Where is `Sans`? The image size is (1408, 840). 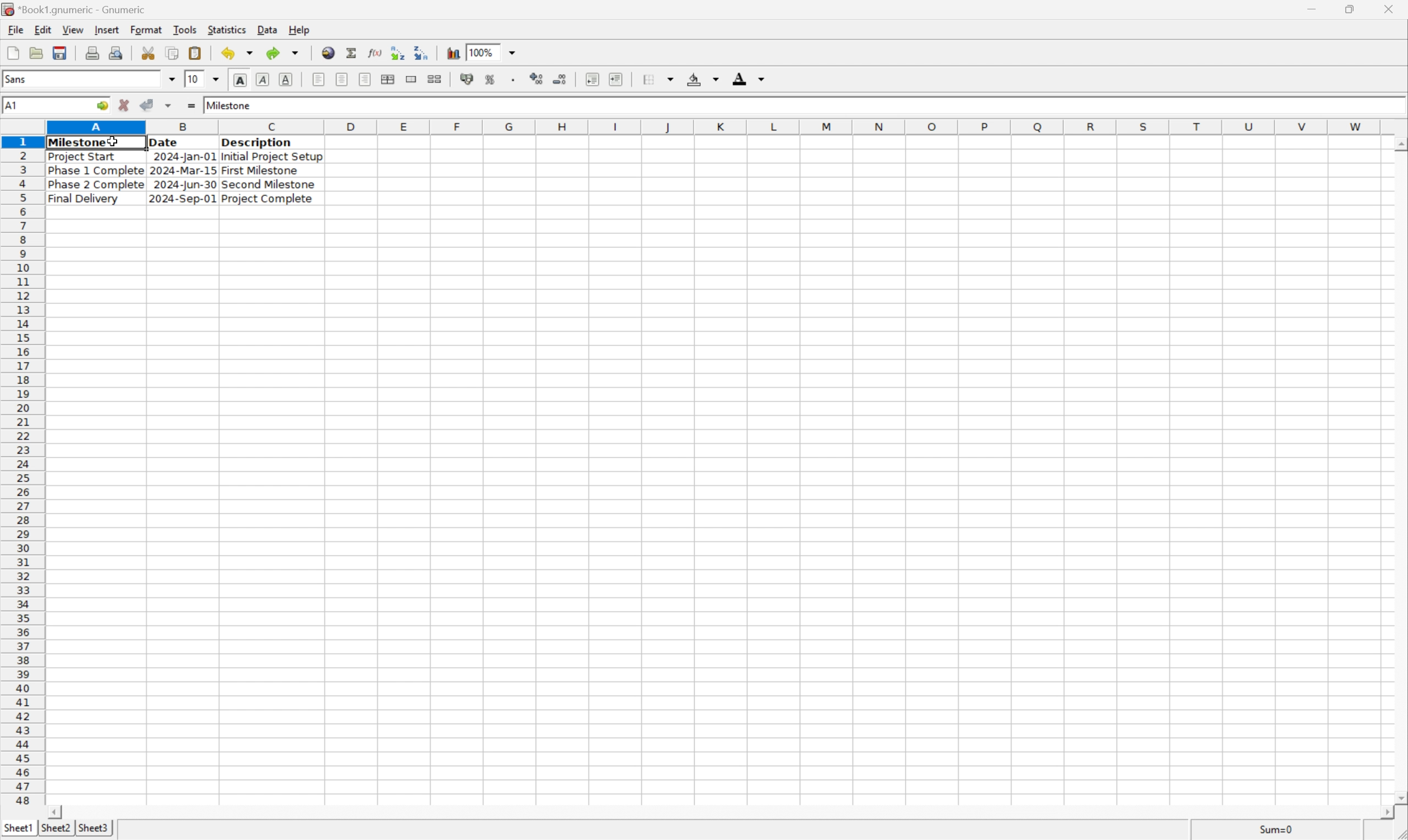
Sans is located at coordinates (19, 78).